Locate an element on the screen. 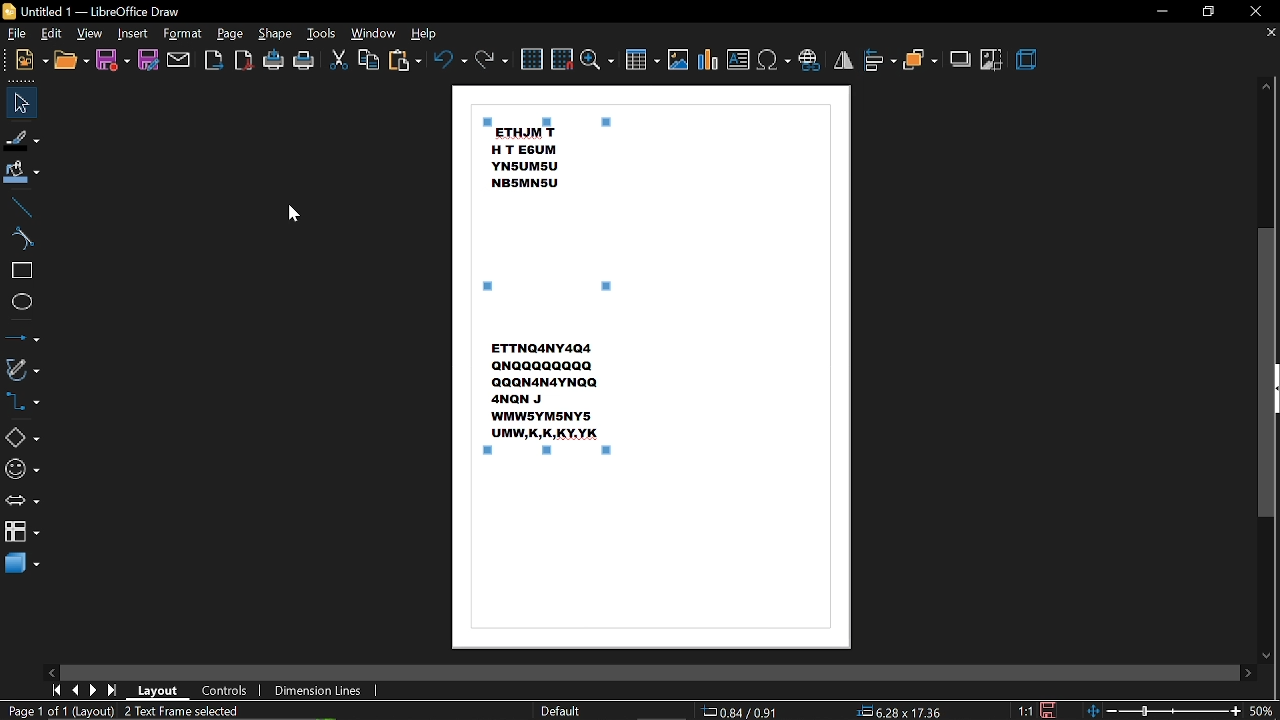 Image resolution: width=1280 pixels, height=720 pixels. grid is located at coordinates (532, 58).